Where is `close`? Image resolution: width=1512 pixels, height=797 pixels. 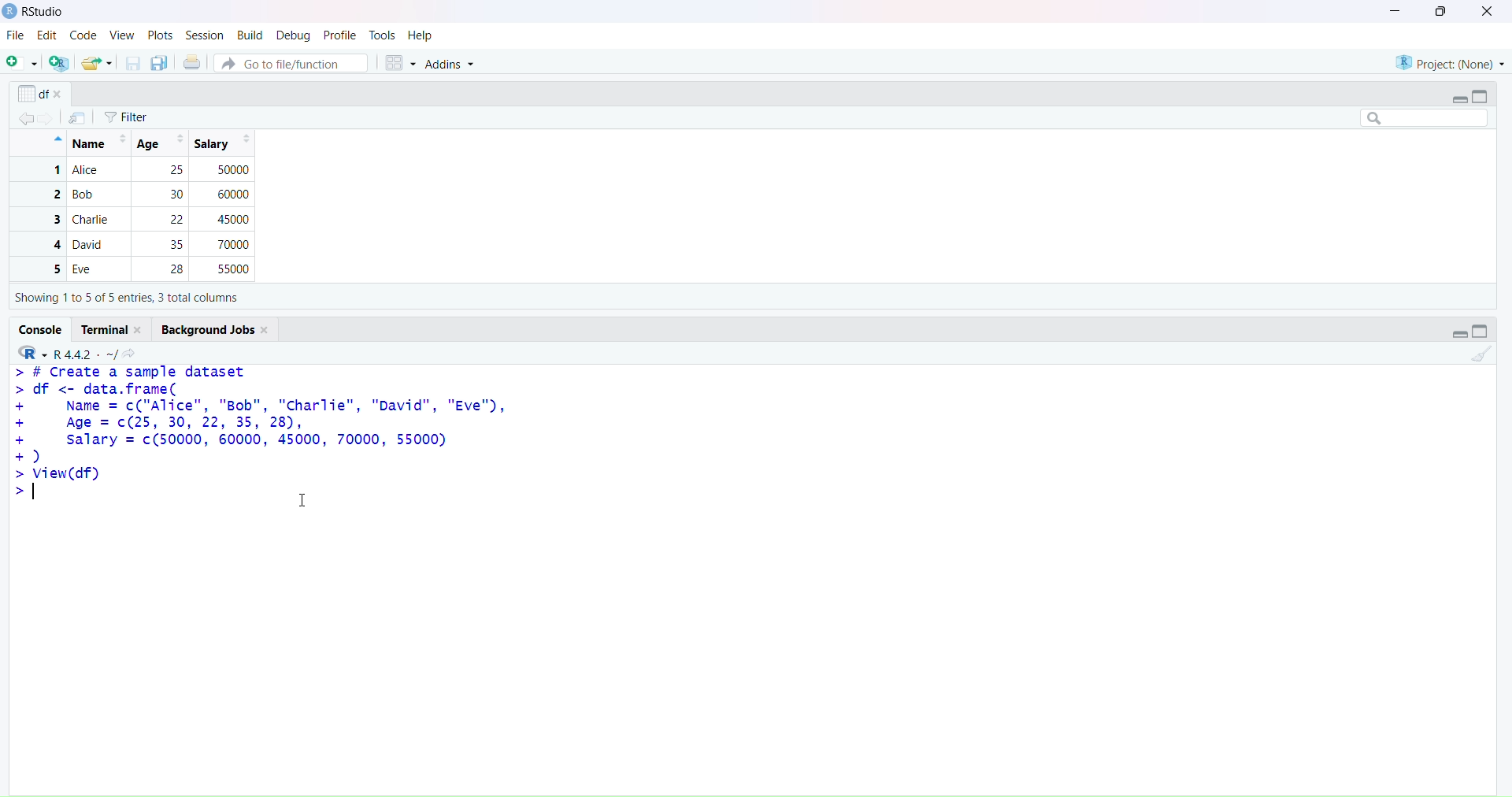
close is located at coordinates (1486, 13).